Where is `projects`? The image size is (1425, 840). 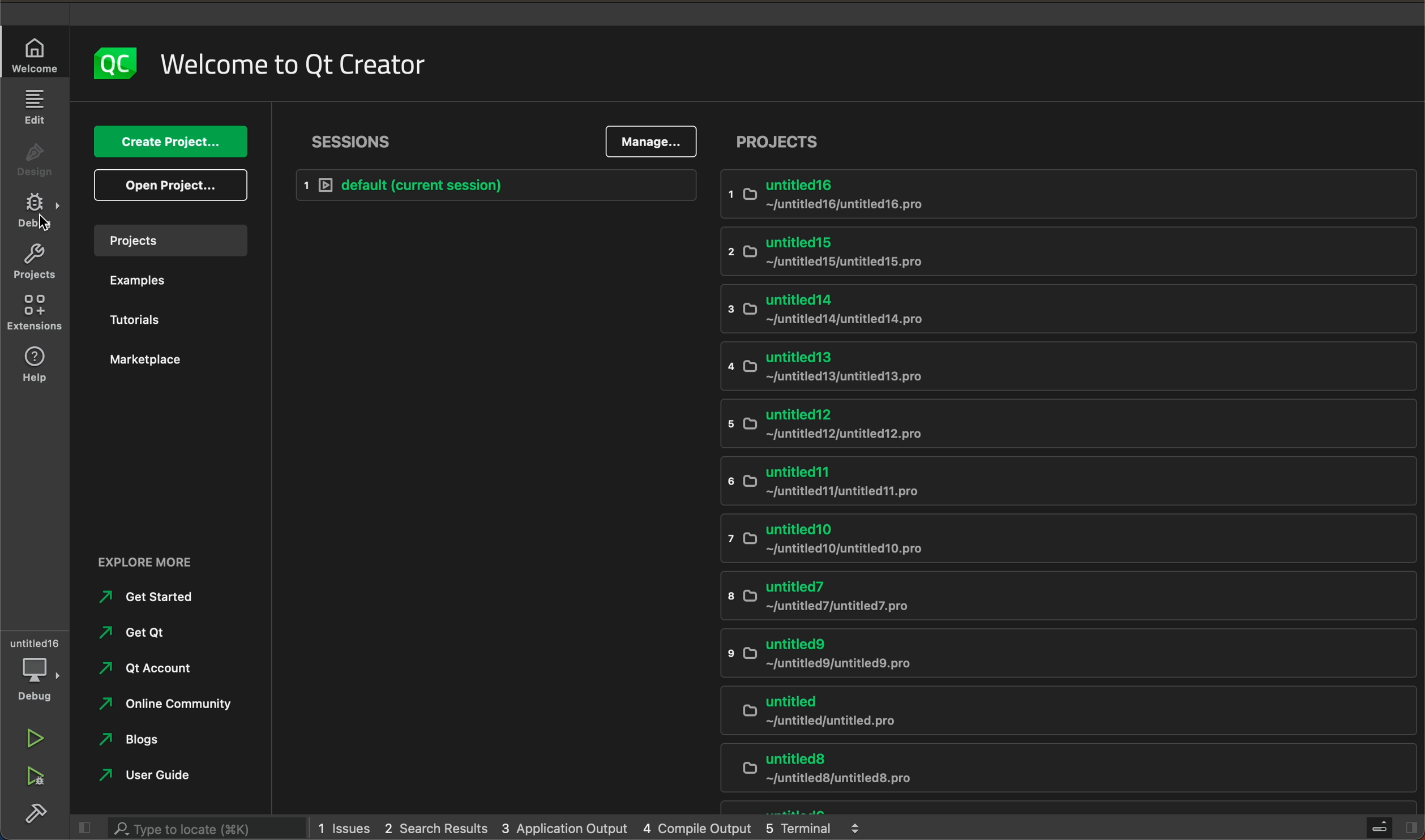 projects is located at coordinates (32, 262).